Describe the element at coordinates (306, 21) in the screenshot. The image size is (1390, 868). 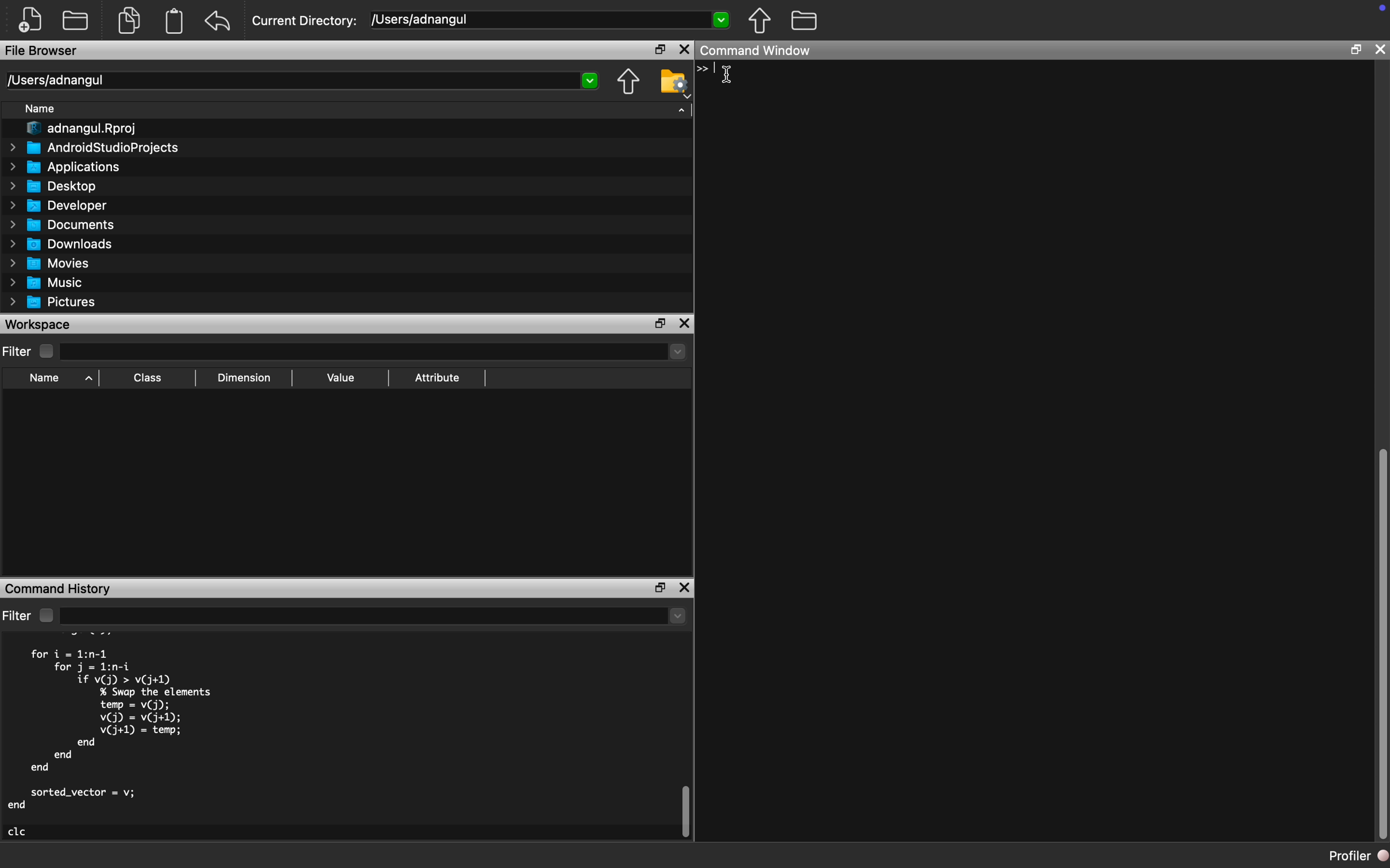
I see `Current Directory:` at that location.